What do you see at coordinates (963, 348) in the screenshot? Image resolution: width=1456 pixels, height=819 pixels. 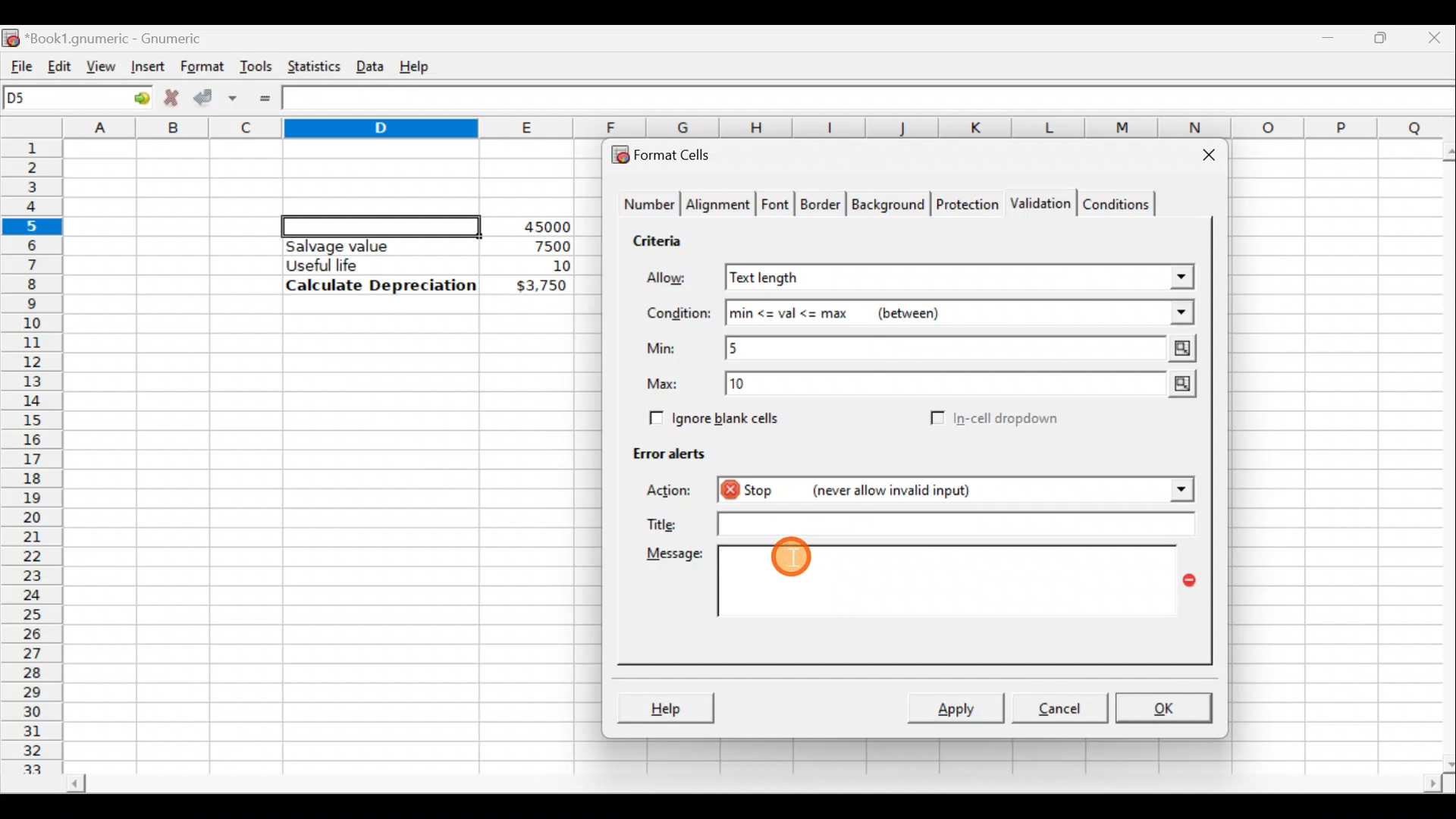 I see `Min value = 5` at bounding box center [963, 348].